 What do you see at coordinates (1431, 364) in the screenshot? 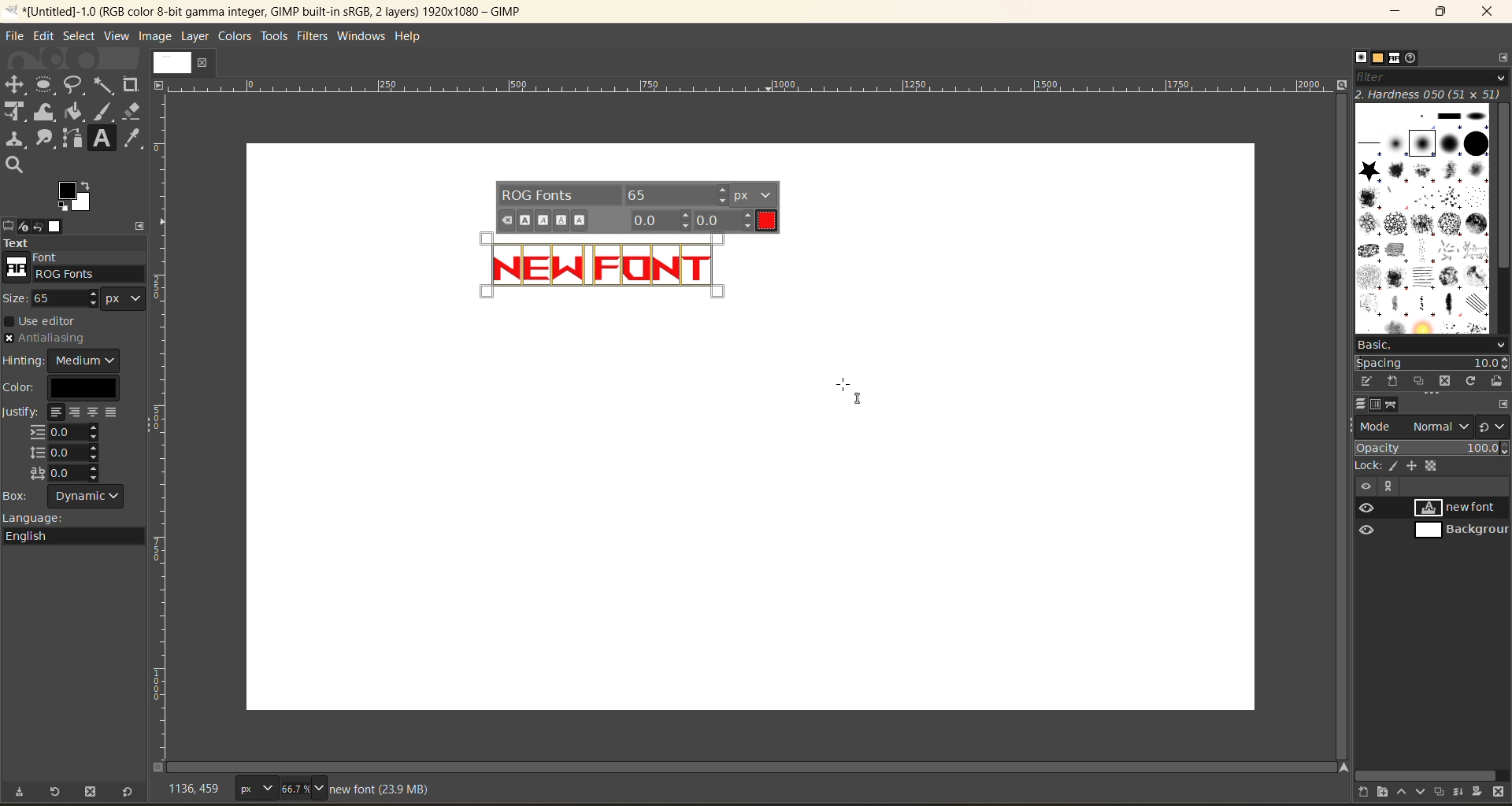
I see `spacing` at bounding box center [1431, 364].